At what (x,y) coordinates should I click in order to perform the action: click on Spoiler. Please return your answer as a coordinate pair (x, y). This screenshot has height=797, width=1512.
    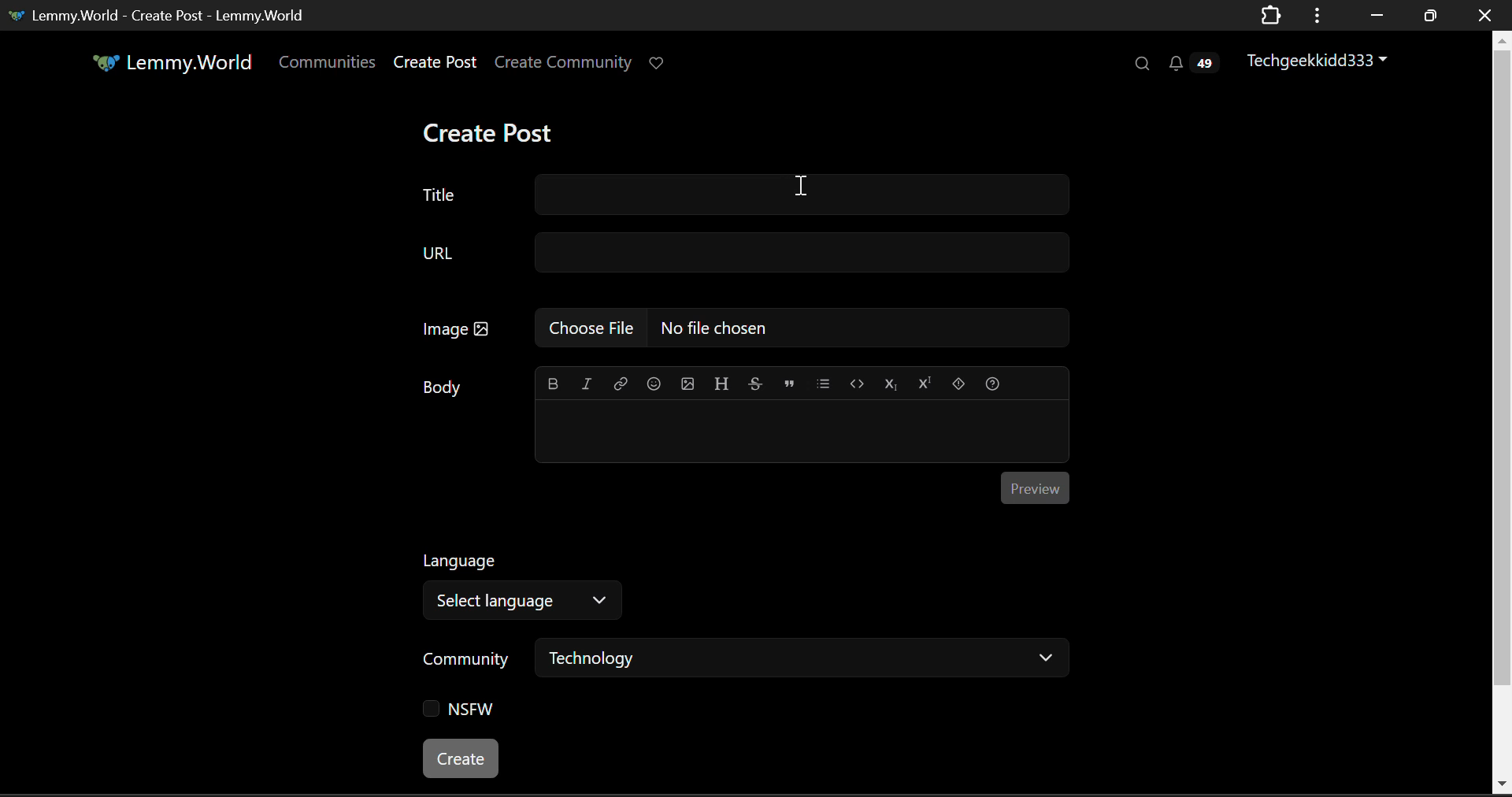
    Looking at the image, I should click on (958, 385).